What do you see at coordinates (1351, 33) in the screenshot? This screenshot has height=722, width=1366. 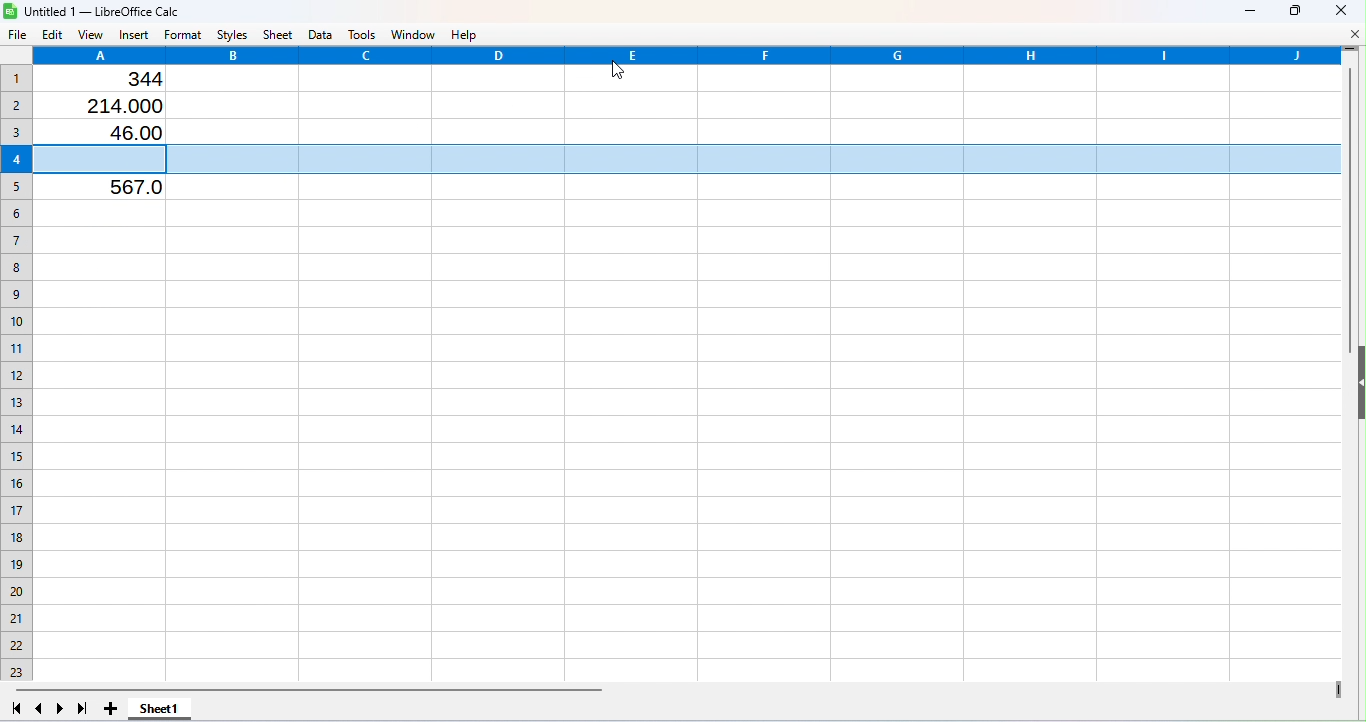 I see `Close document` at bounding box center [1351, 33].